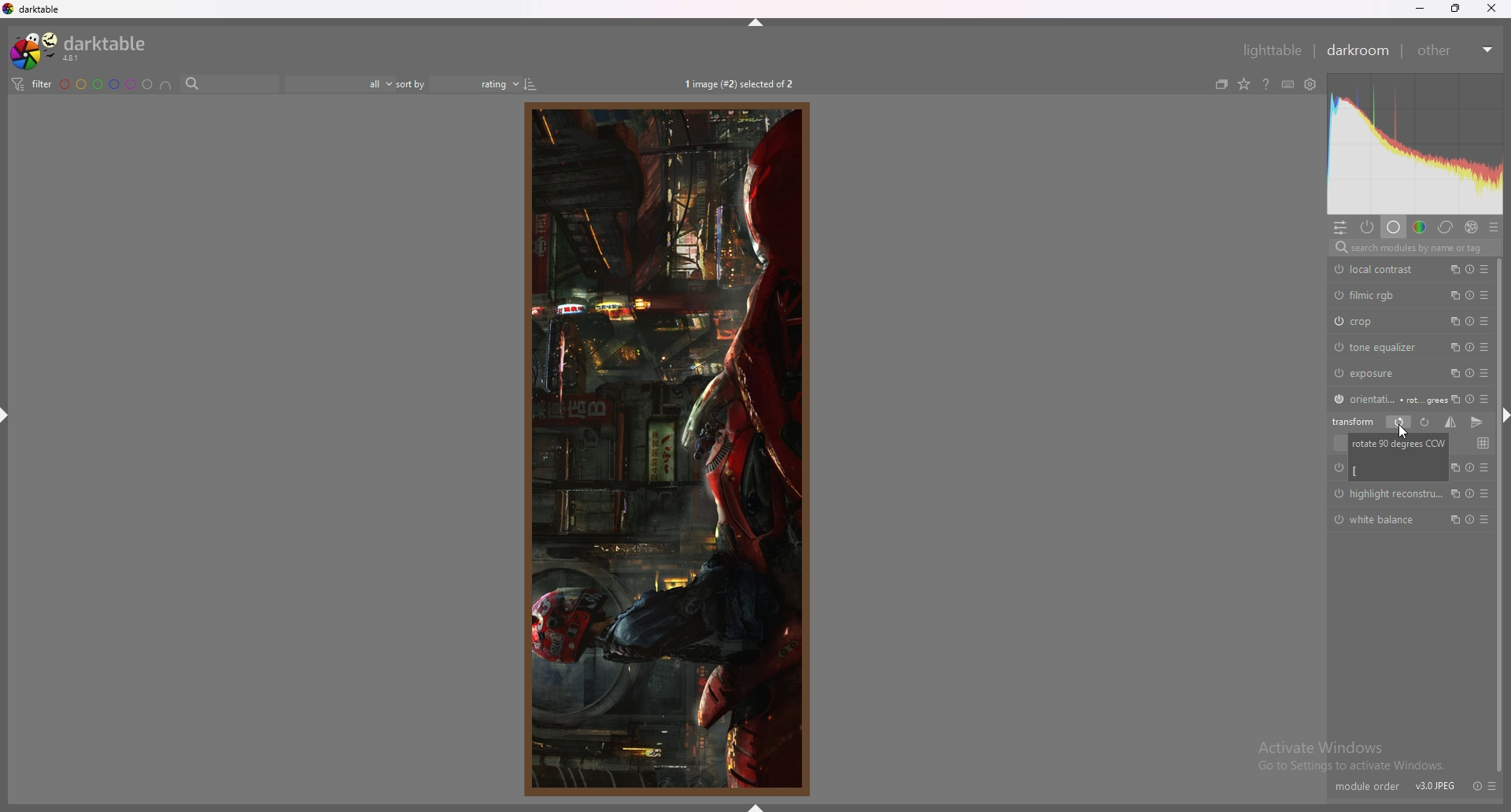 The height and width of the screenshot is (812, 1511). I want to click on presets, so click(1484, 373).